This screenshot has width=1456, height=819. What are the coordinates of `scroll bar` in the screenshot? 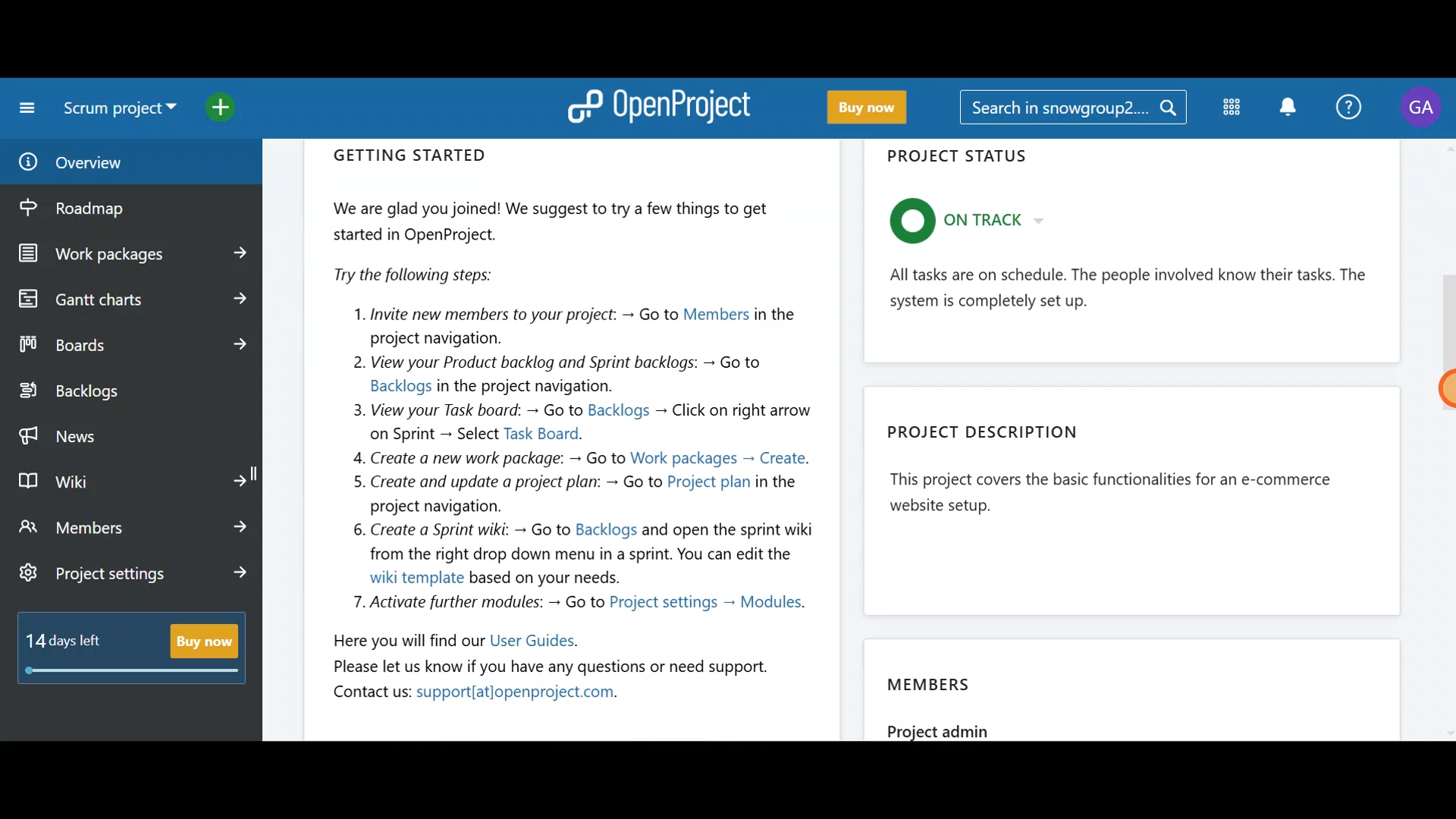 It's located at (1446, 440).